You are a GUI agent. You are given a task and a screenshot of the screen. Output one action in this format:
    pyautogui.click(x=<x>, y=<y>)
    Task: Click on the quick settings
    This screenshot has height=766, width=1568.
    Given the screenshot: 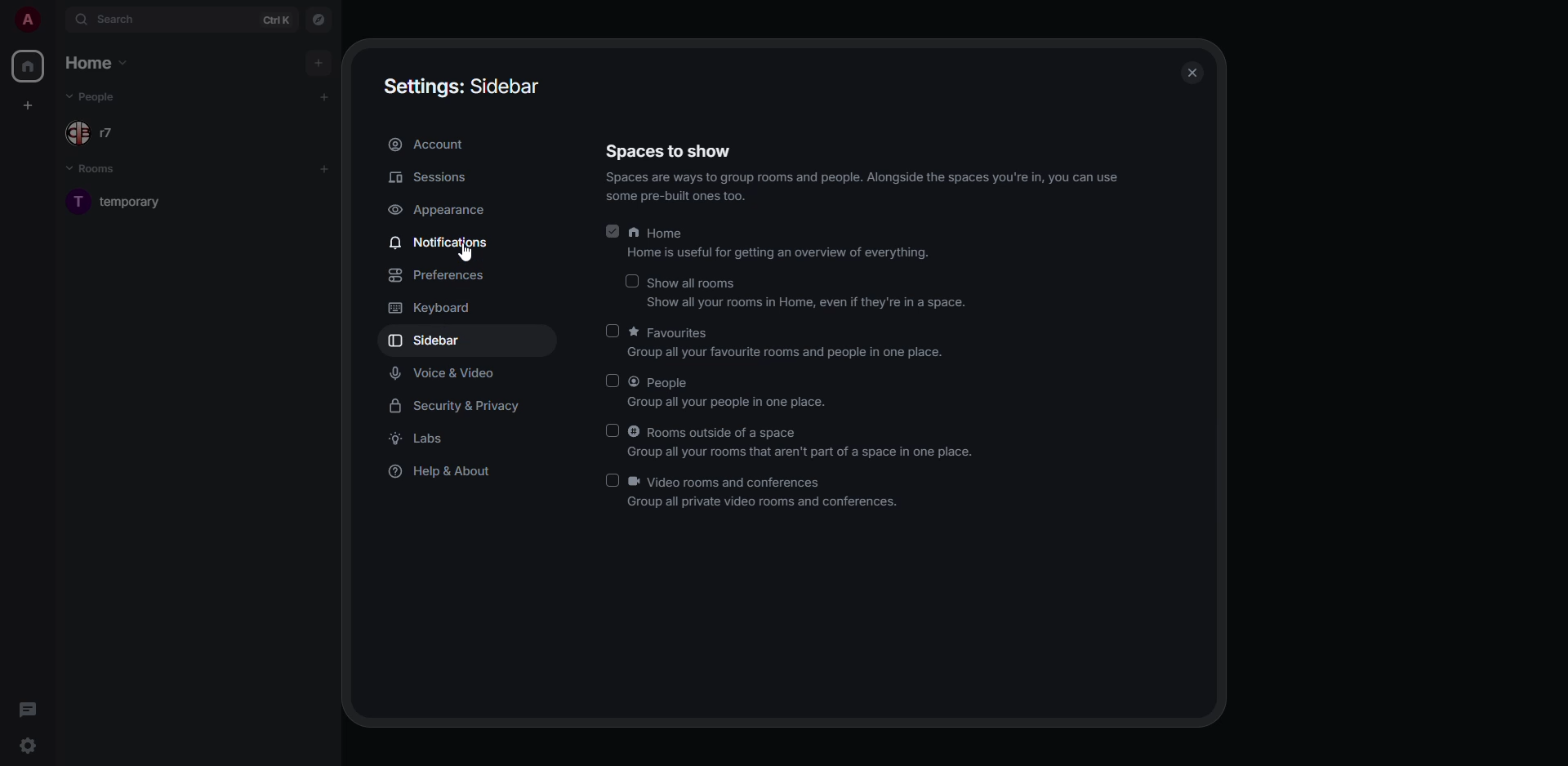 What is the action you would take?
    pyautogui.click(x=26, y=746)
    